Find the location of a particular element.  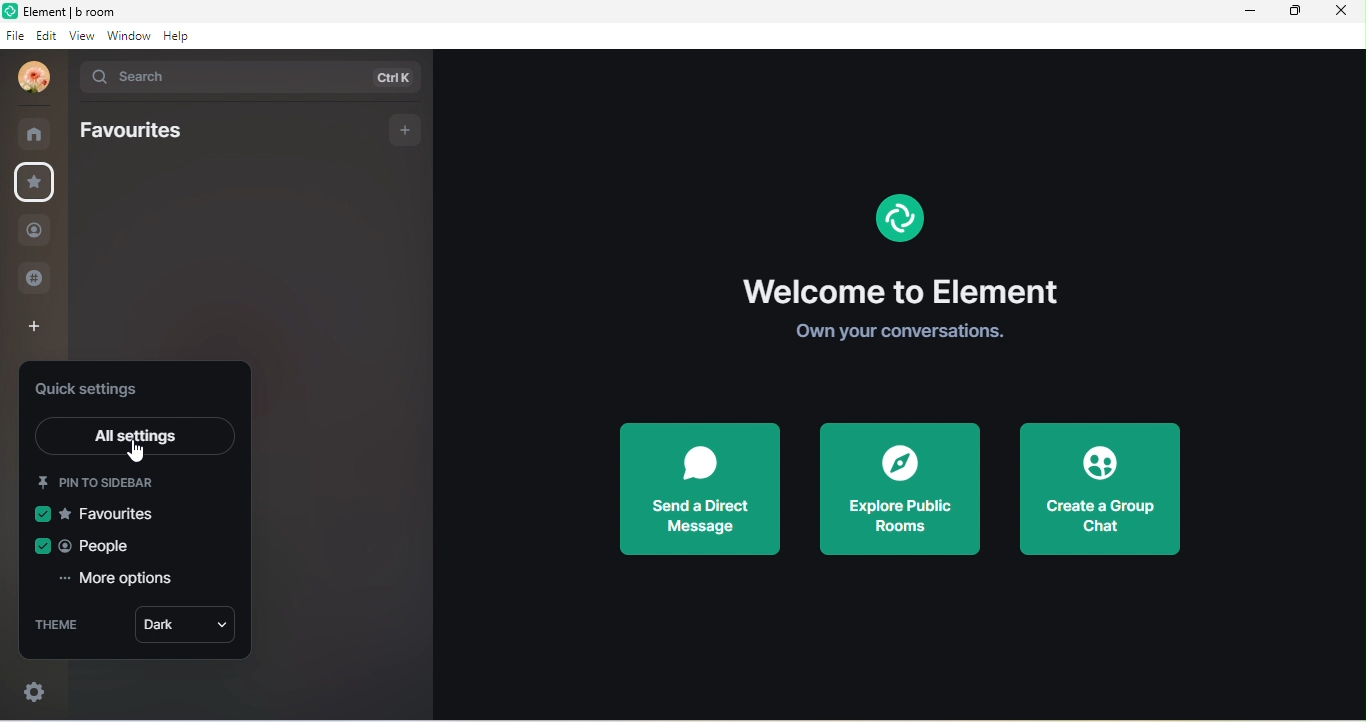

favourites is located at coordinates (35, 183).